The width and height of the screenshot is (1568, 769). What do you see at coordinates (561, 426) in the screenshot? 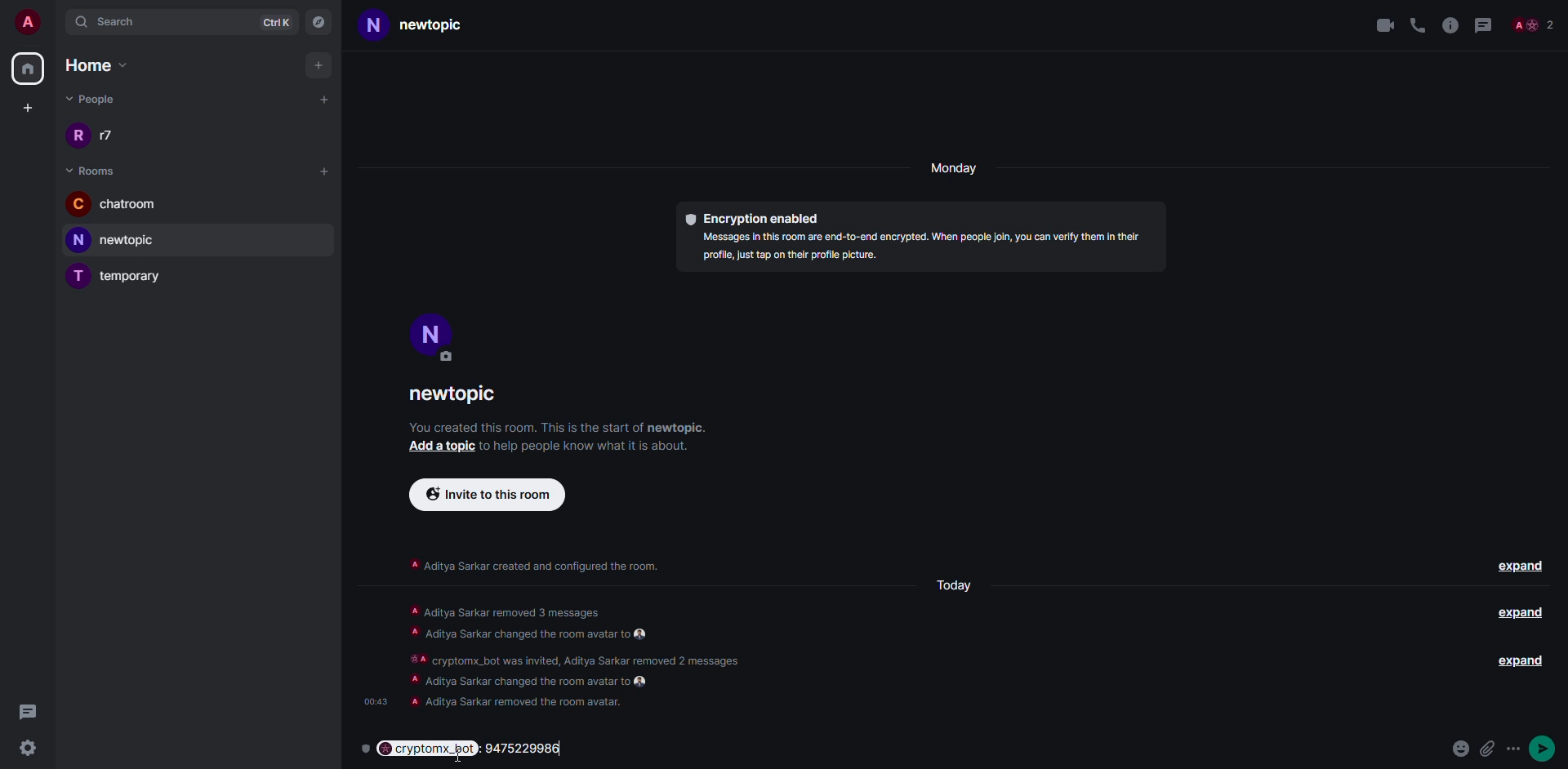
I see `You created this room. This is the start of newtopic.` at bounding box center [561, 426].